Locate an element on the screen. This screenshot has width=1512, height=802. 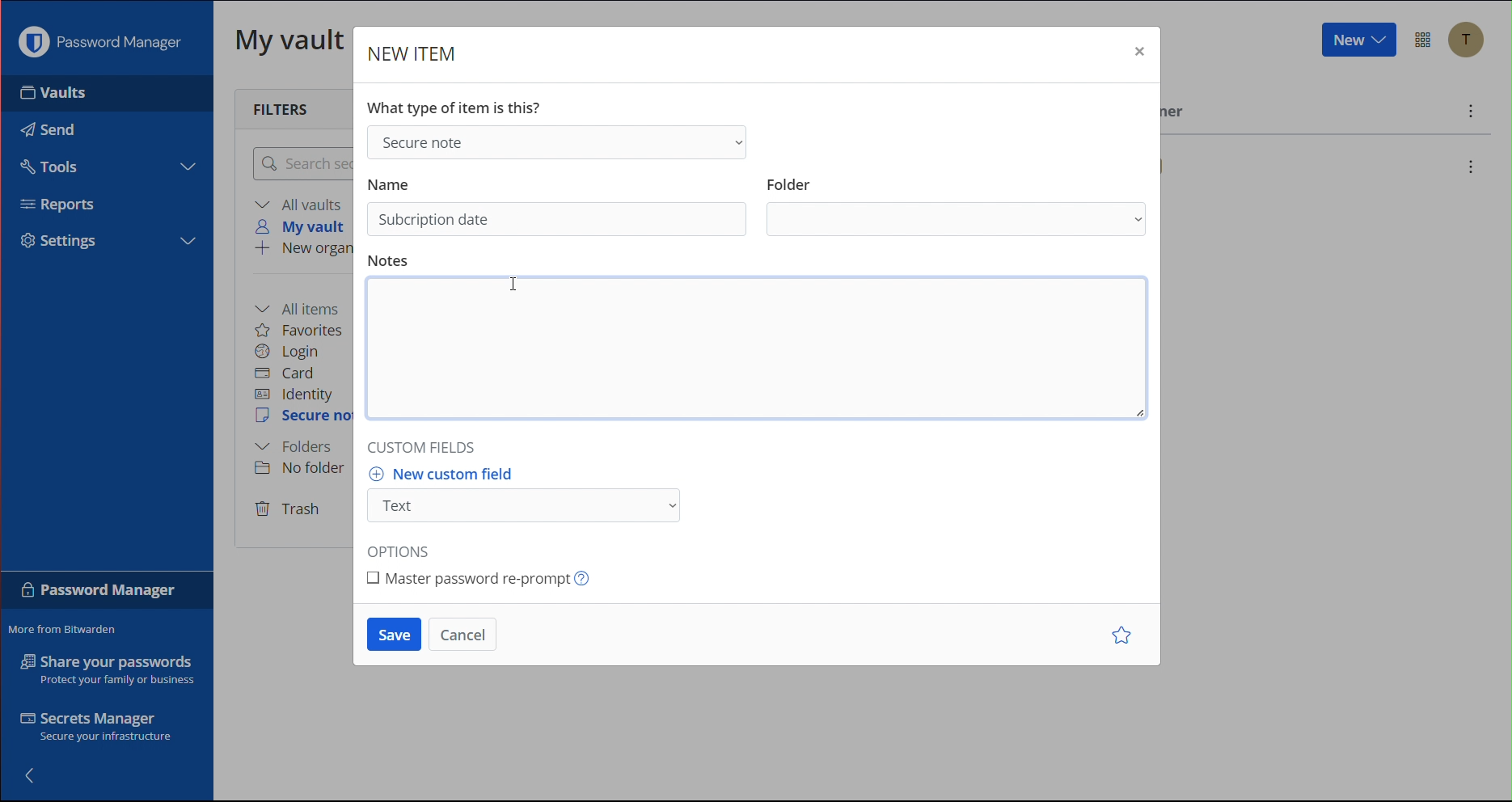
Options is located at coordinates (405, 546).